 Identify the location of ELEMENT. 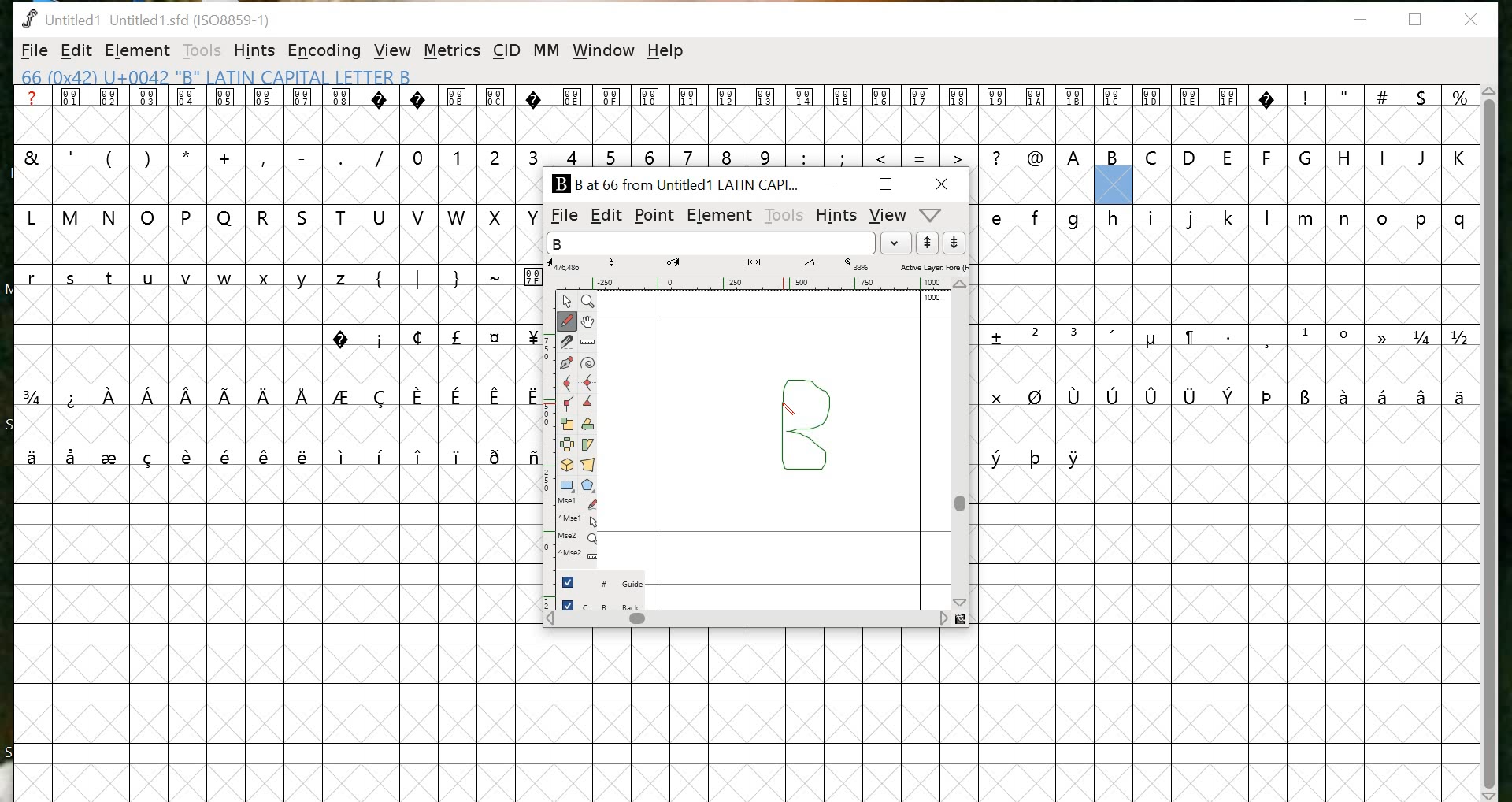
(137, 51).